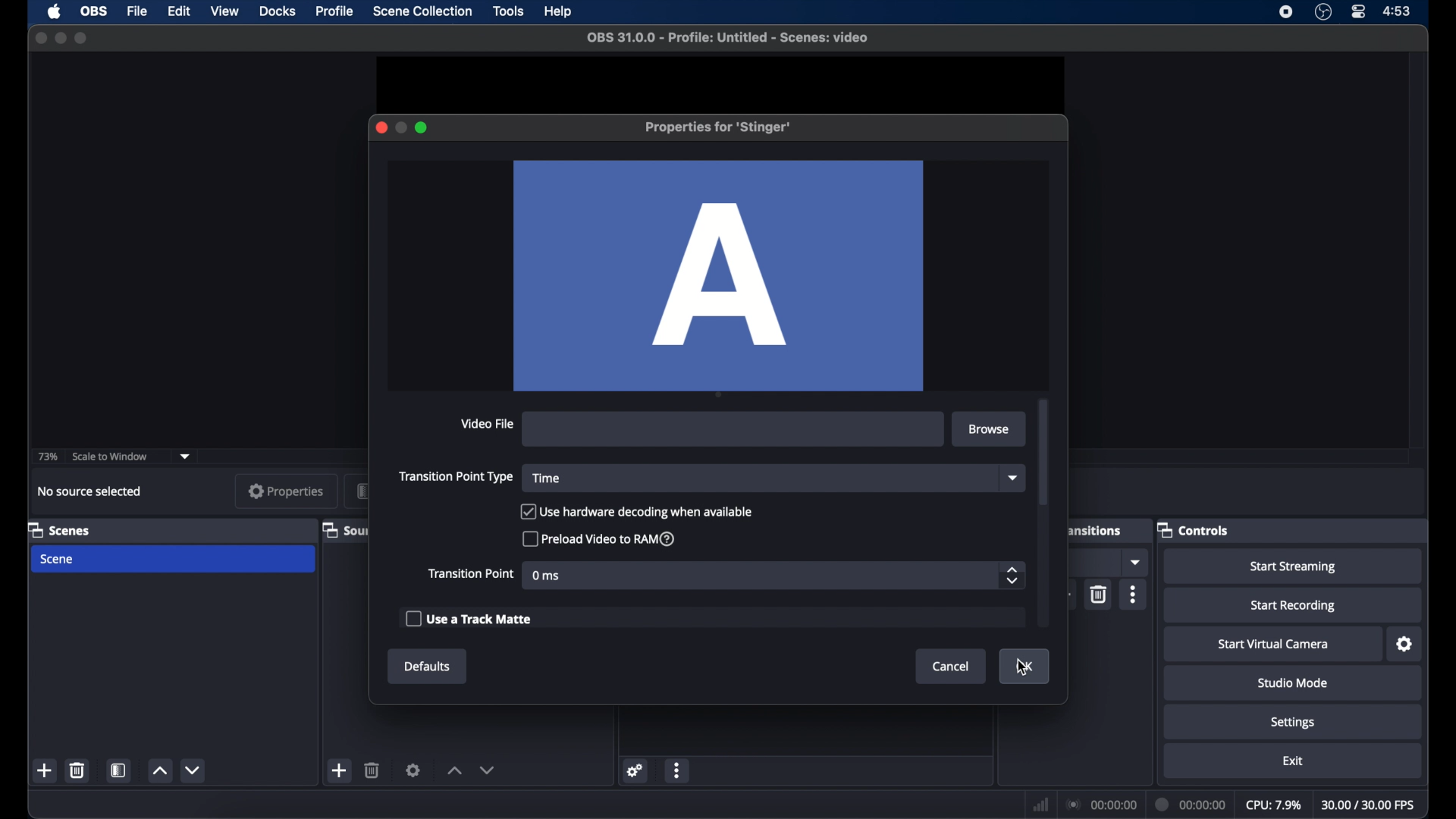  I want to click on A, so click(719, 275).